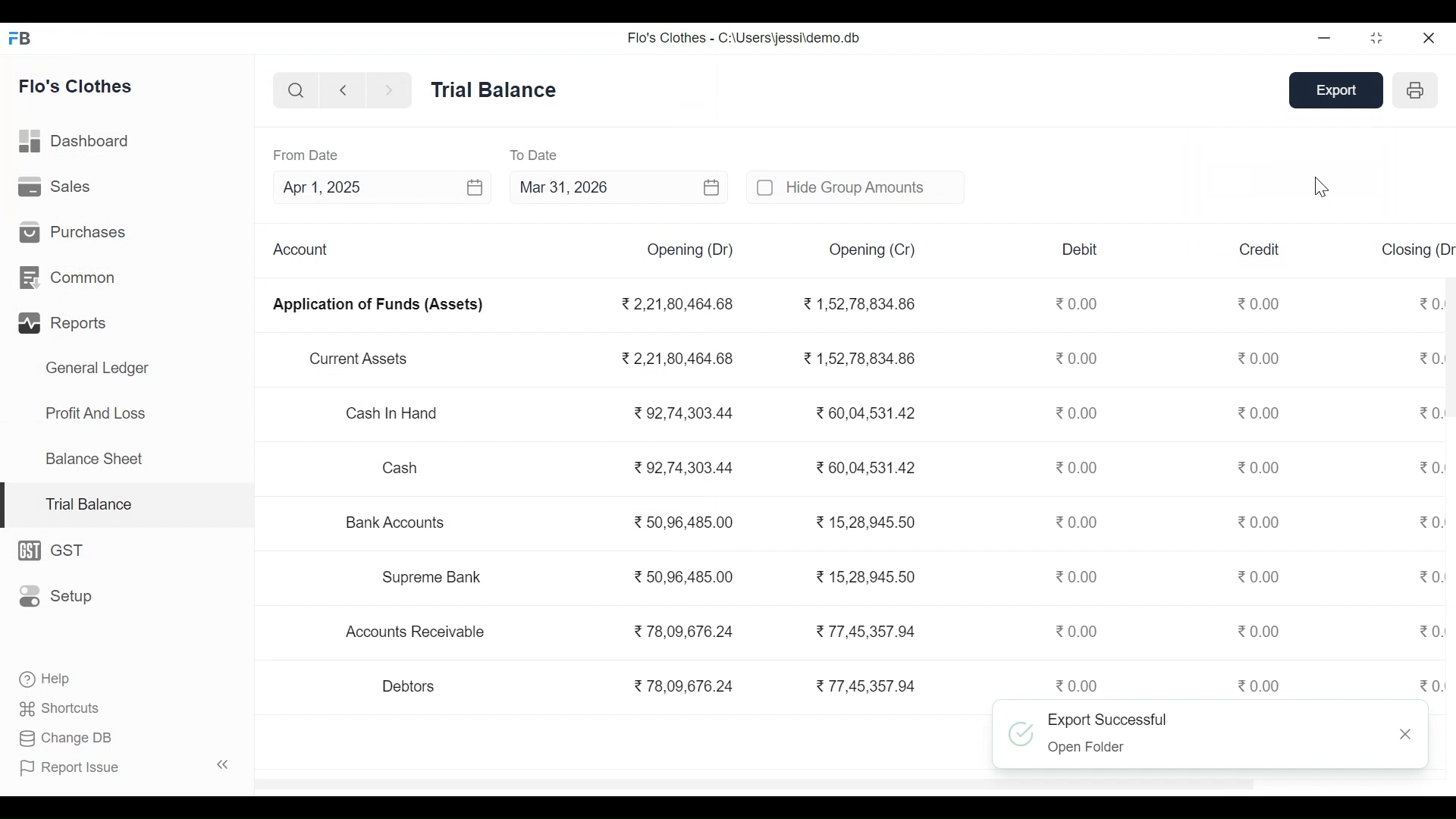  What do you see at coordinates (410, 686) in the screenshot?
I see `Debtors` at bounding box center [410, 686].